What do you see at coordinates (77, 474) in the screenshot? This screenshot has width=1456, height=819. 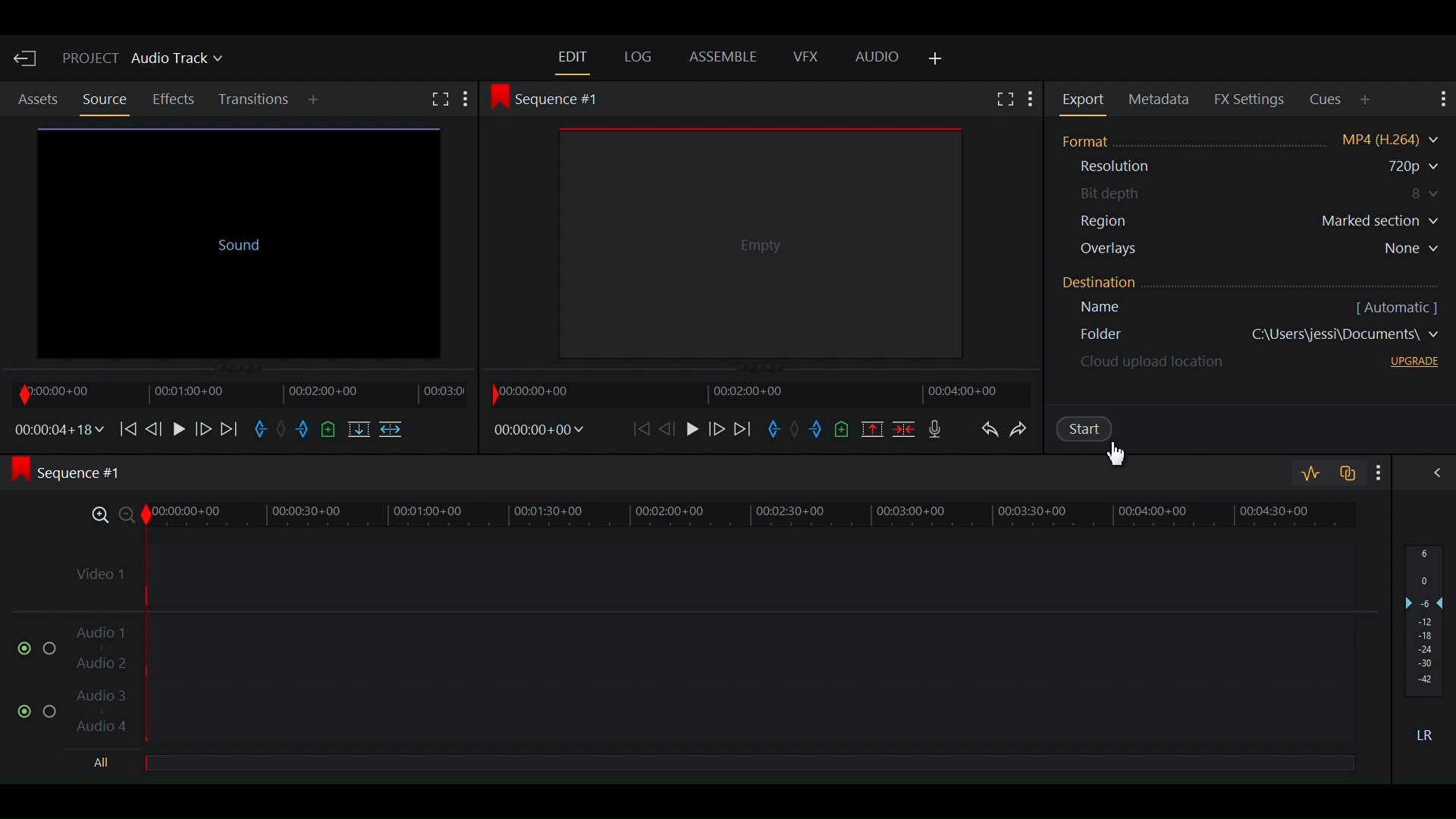 I see `Sequence #1` at bounding box center [77, 474].